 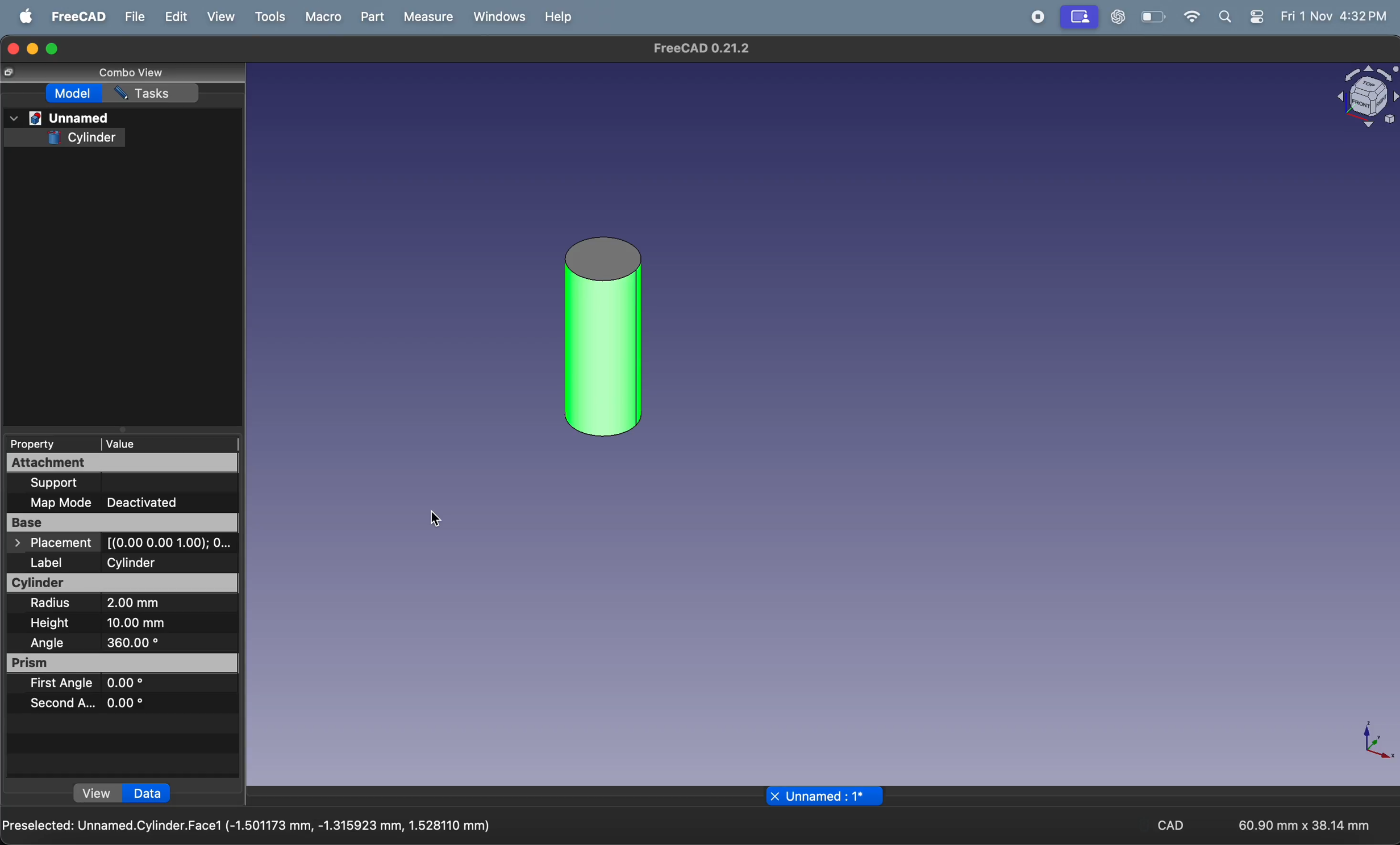 I want to click on label, so click(x=56, y=563).